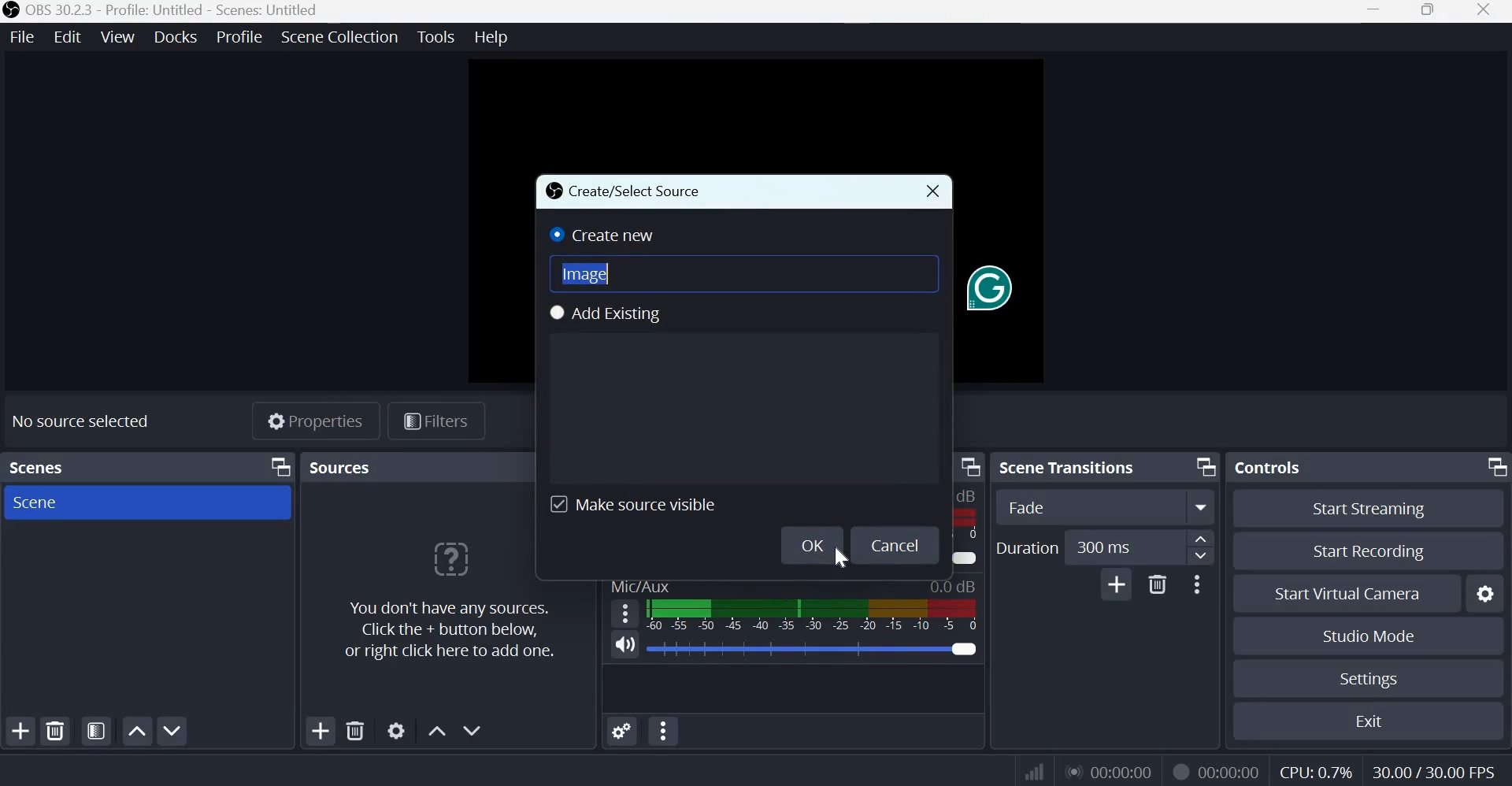  What do you see at coordinates (972, 469) in the screenshot?
I see `Dock menu` at bounding box center [972, 469].